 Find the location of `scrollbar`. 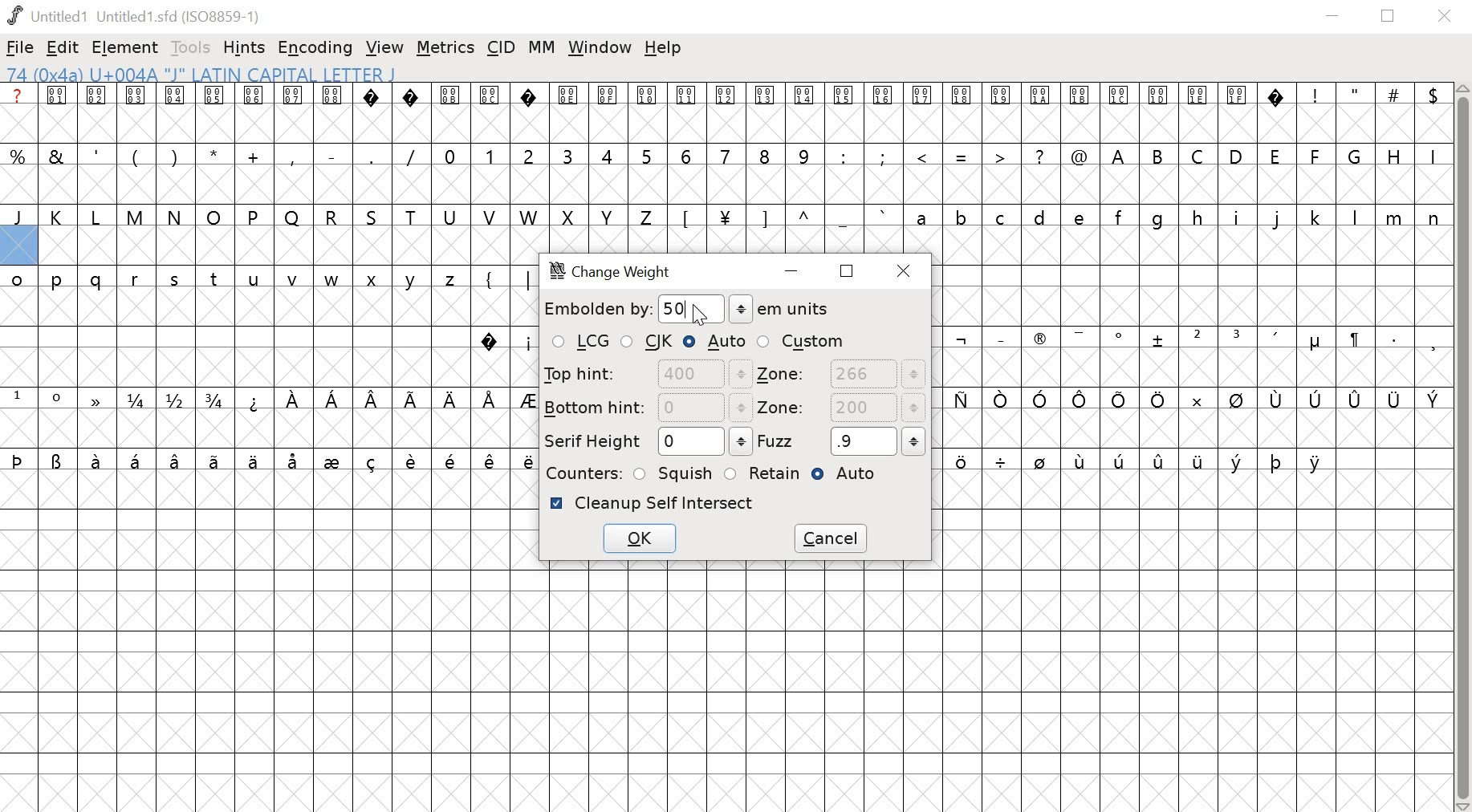

scrollbar is located at coordinates (1463, 448).